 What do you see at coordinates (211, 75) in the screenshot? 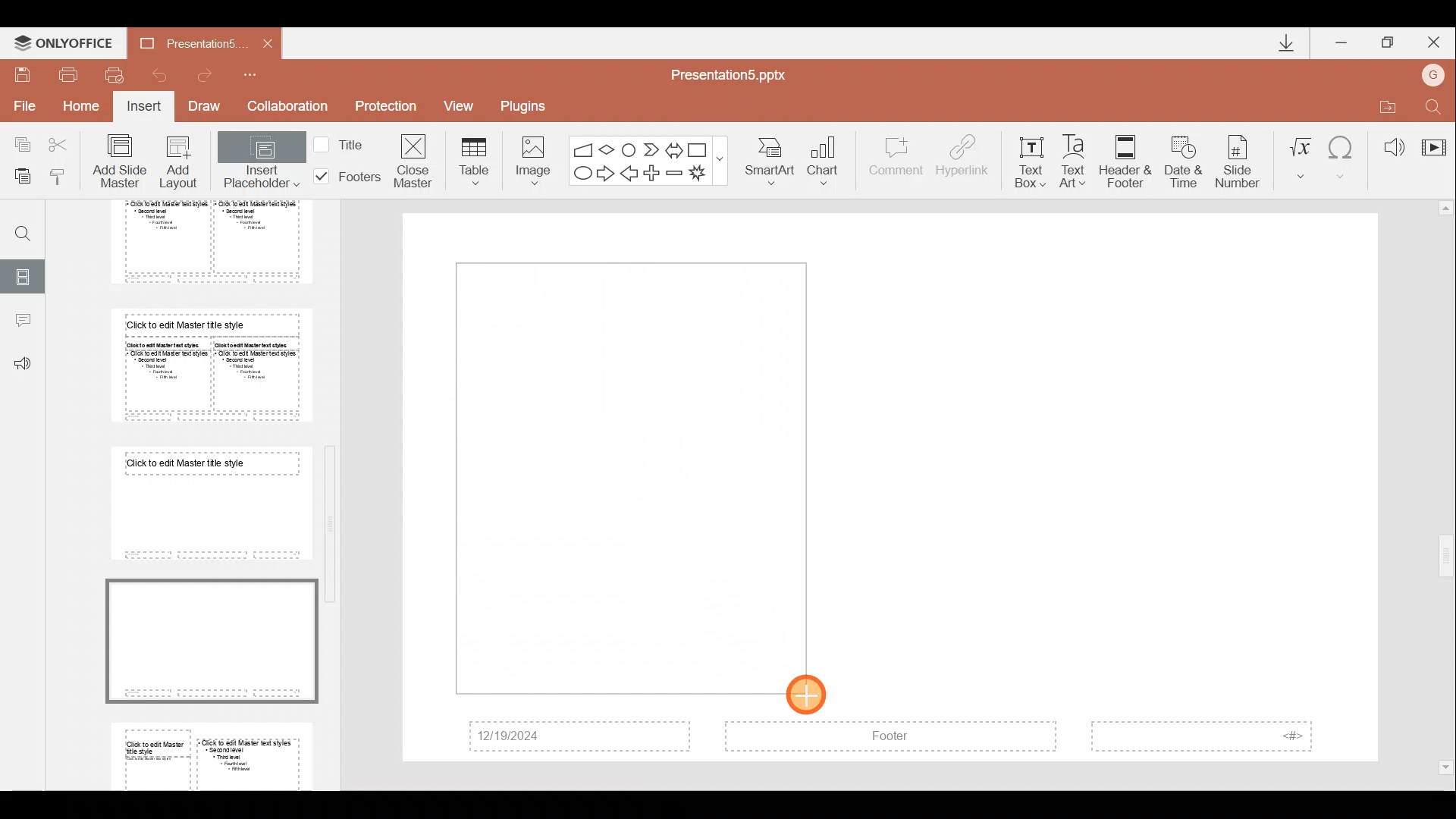
I see `Redo` at bounding box center [211, 75].